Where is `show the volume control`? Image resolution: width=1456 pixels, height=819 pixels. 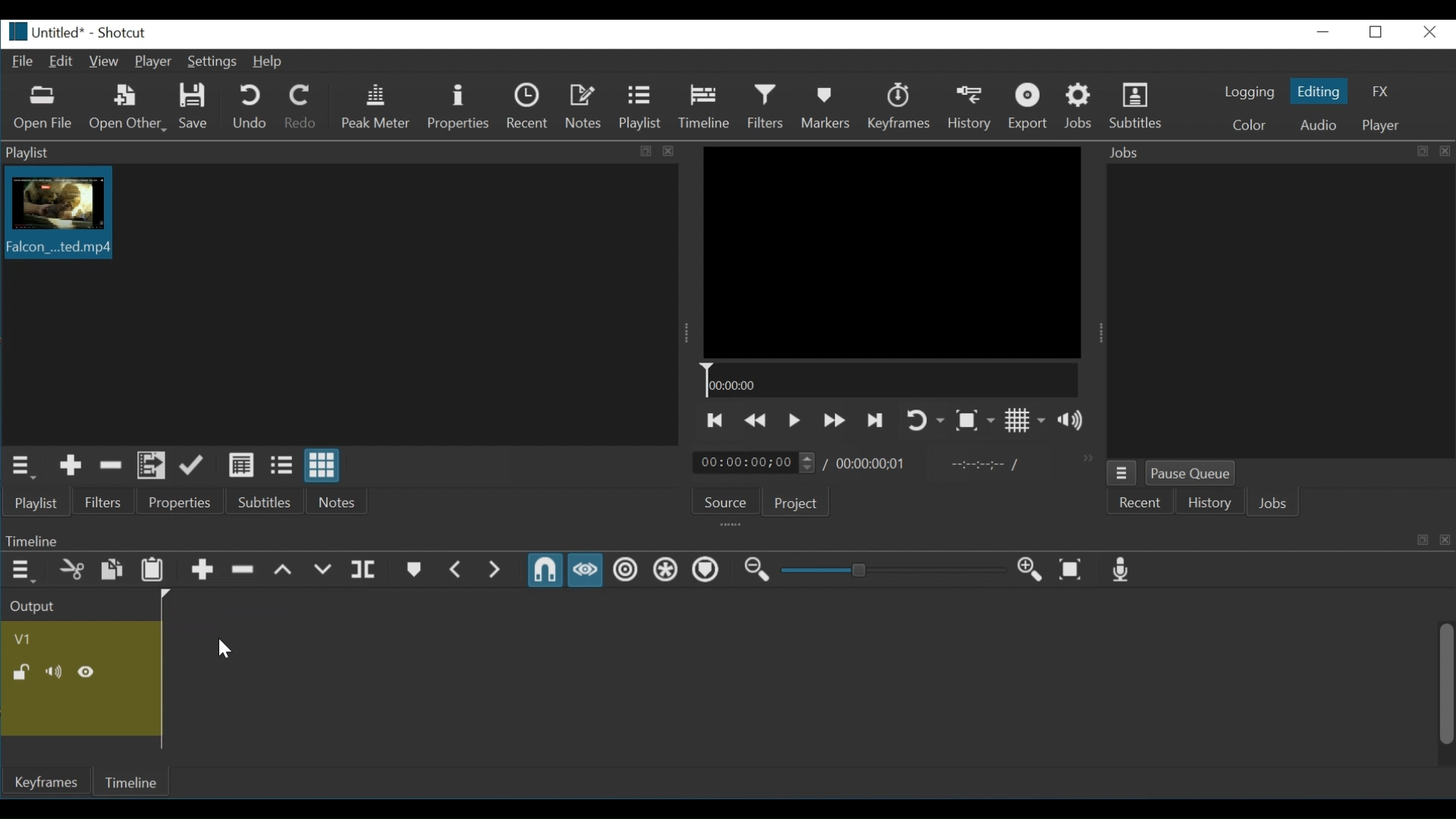
show the volume control is located at coordinates (1075, 420).